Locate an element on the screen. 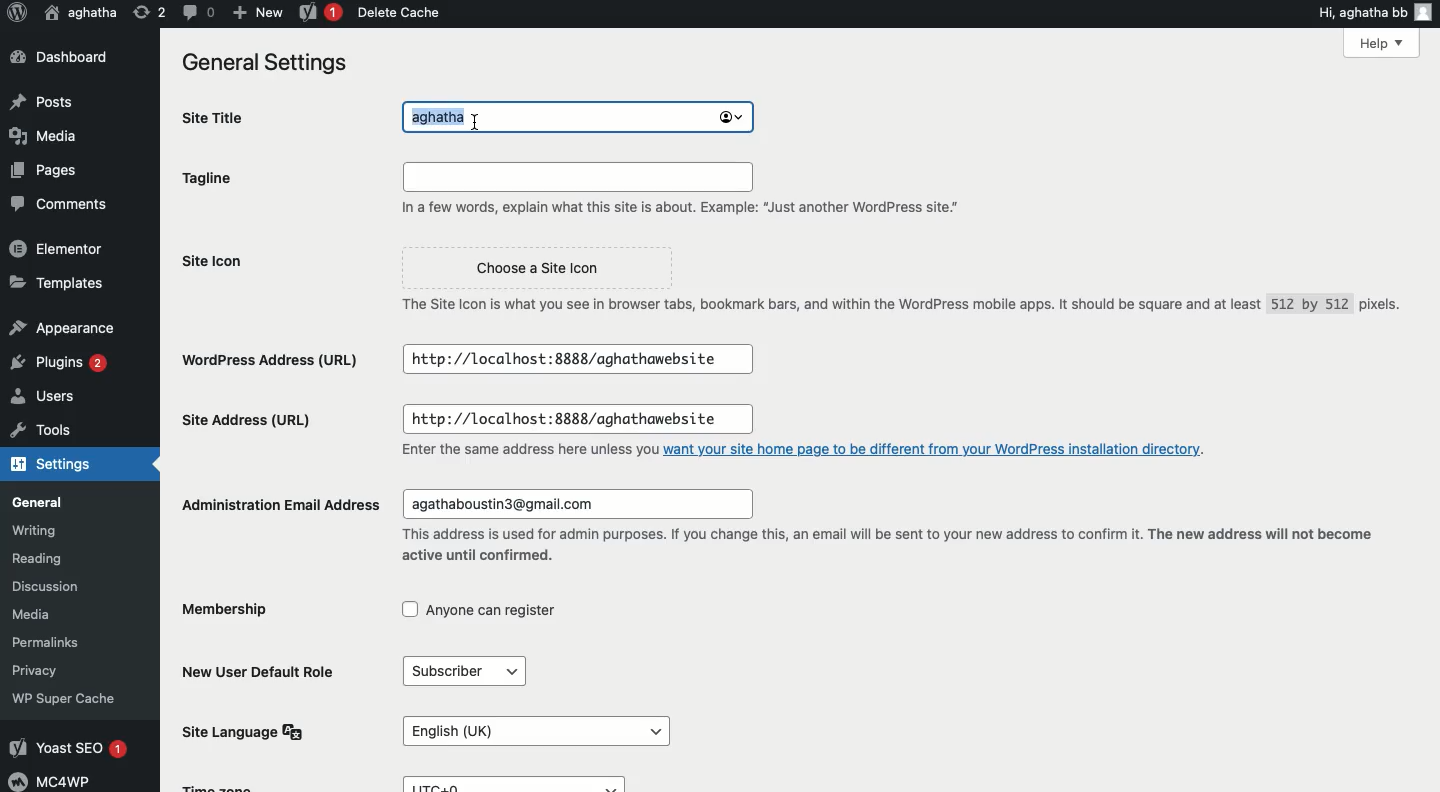  New user default role is located at coordinates (263, 670).